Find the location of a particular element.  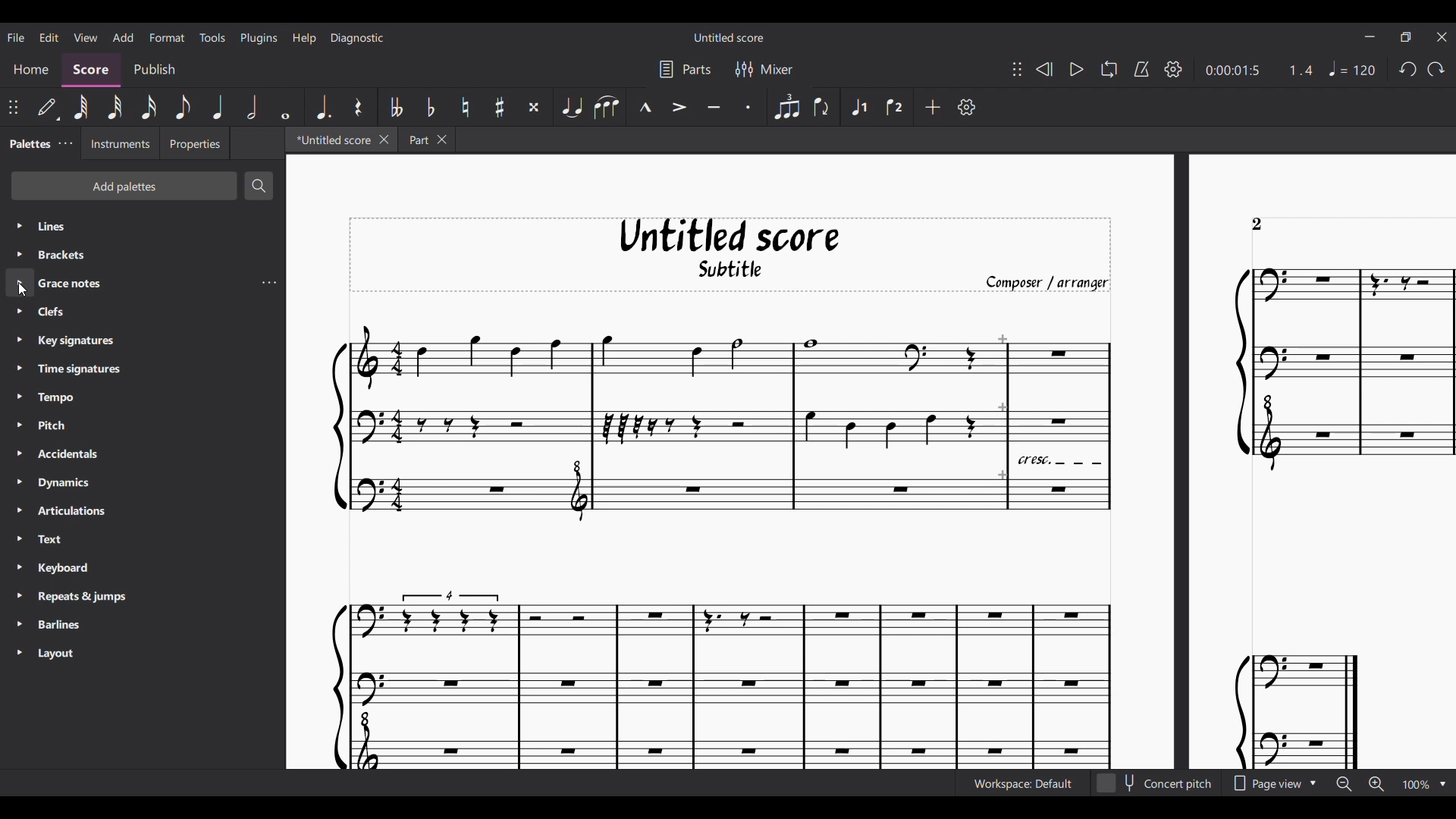

8th note is located at coordinates (183, 108).